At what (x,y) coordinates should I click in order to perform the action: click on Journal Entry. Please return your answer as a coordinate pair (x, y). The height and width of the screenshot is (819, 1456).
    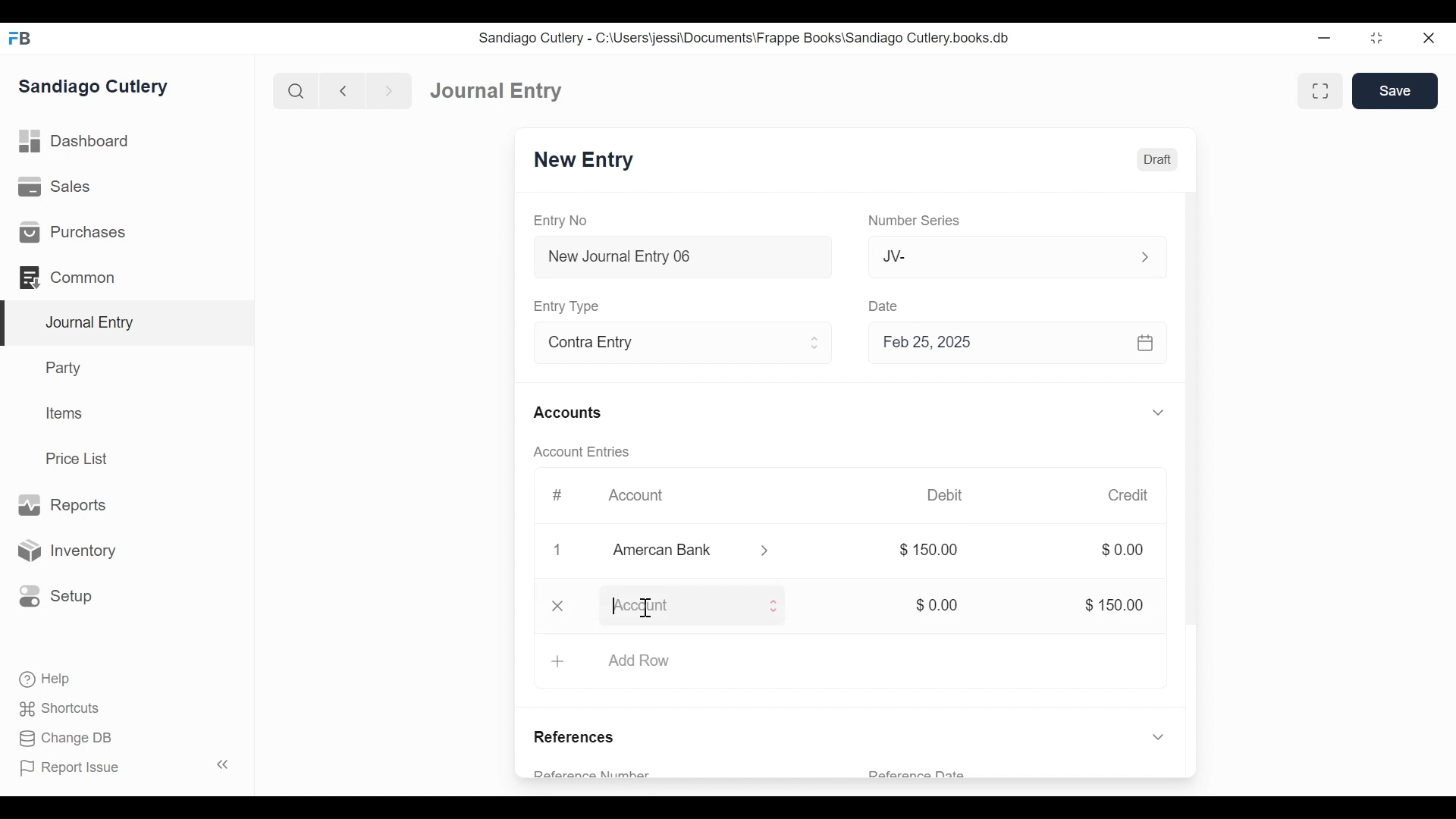
    Looking at the image, I should click on (128, 324).